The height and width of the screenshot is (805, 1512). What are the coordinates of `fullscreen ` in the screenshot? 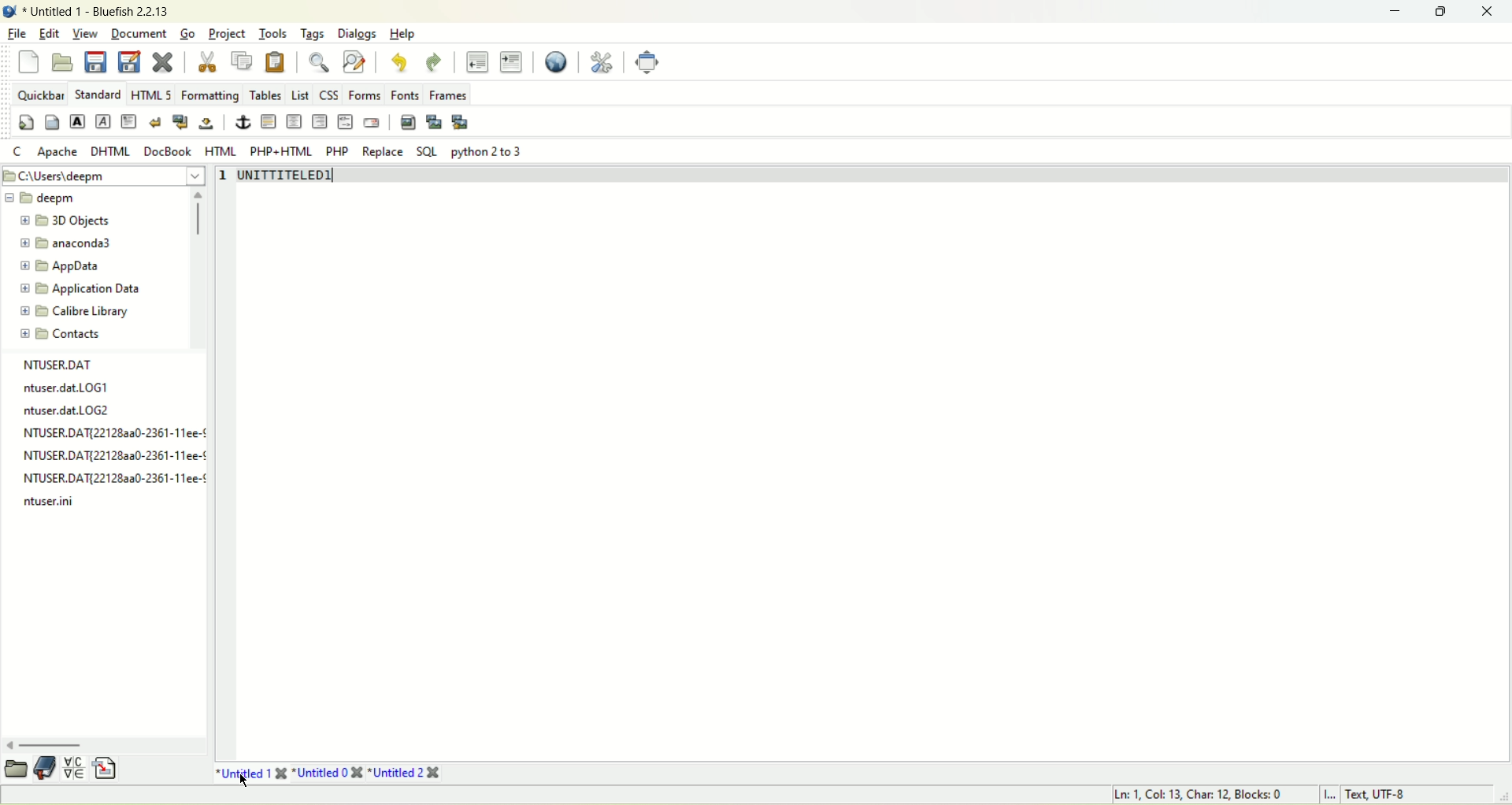 It's located at (649, 61).